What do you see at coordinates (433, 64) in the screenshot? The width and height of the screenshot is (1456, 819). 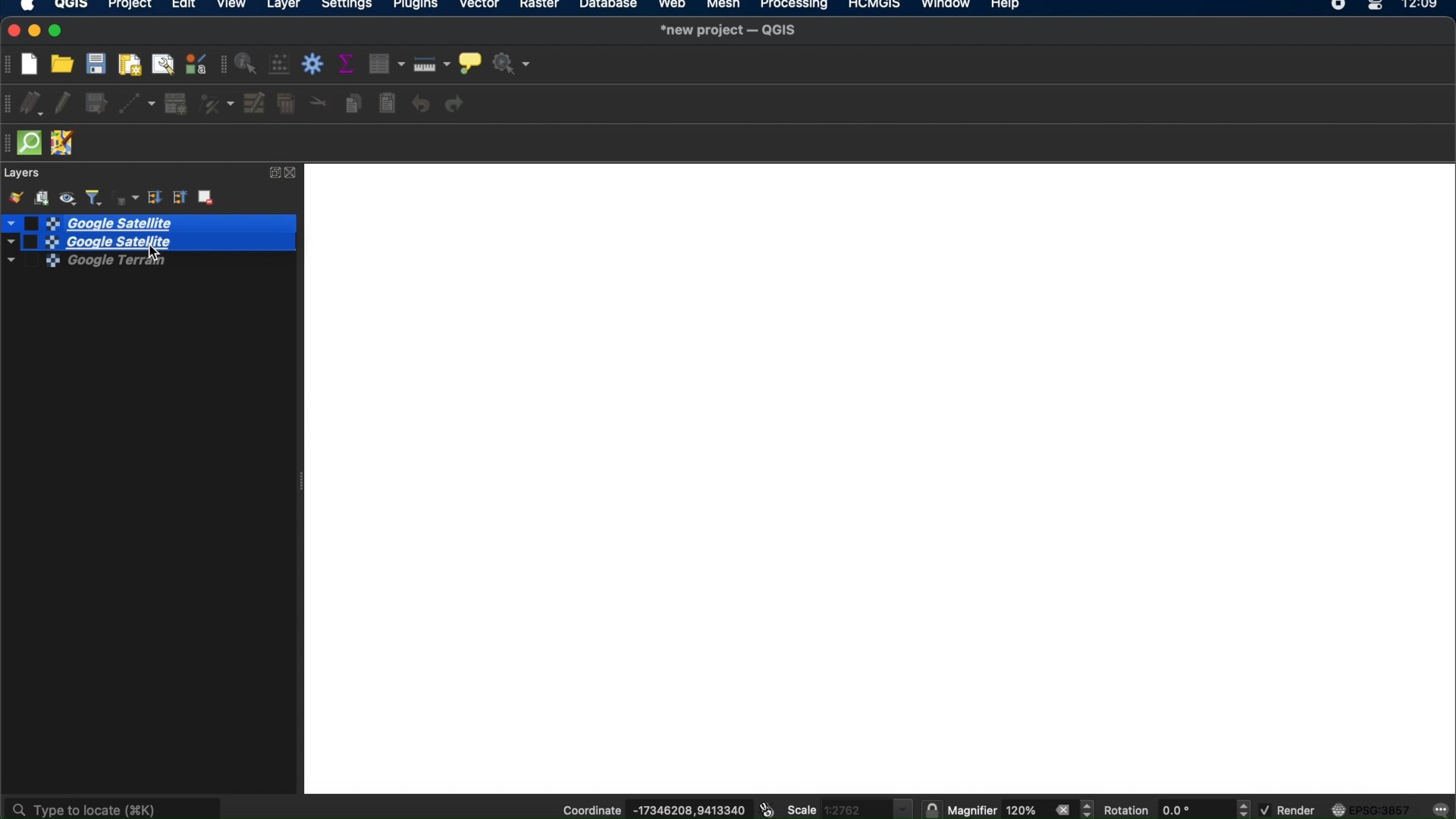 I see `measure line` at bounding box center [433, 64].